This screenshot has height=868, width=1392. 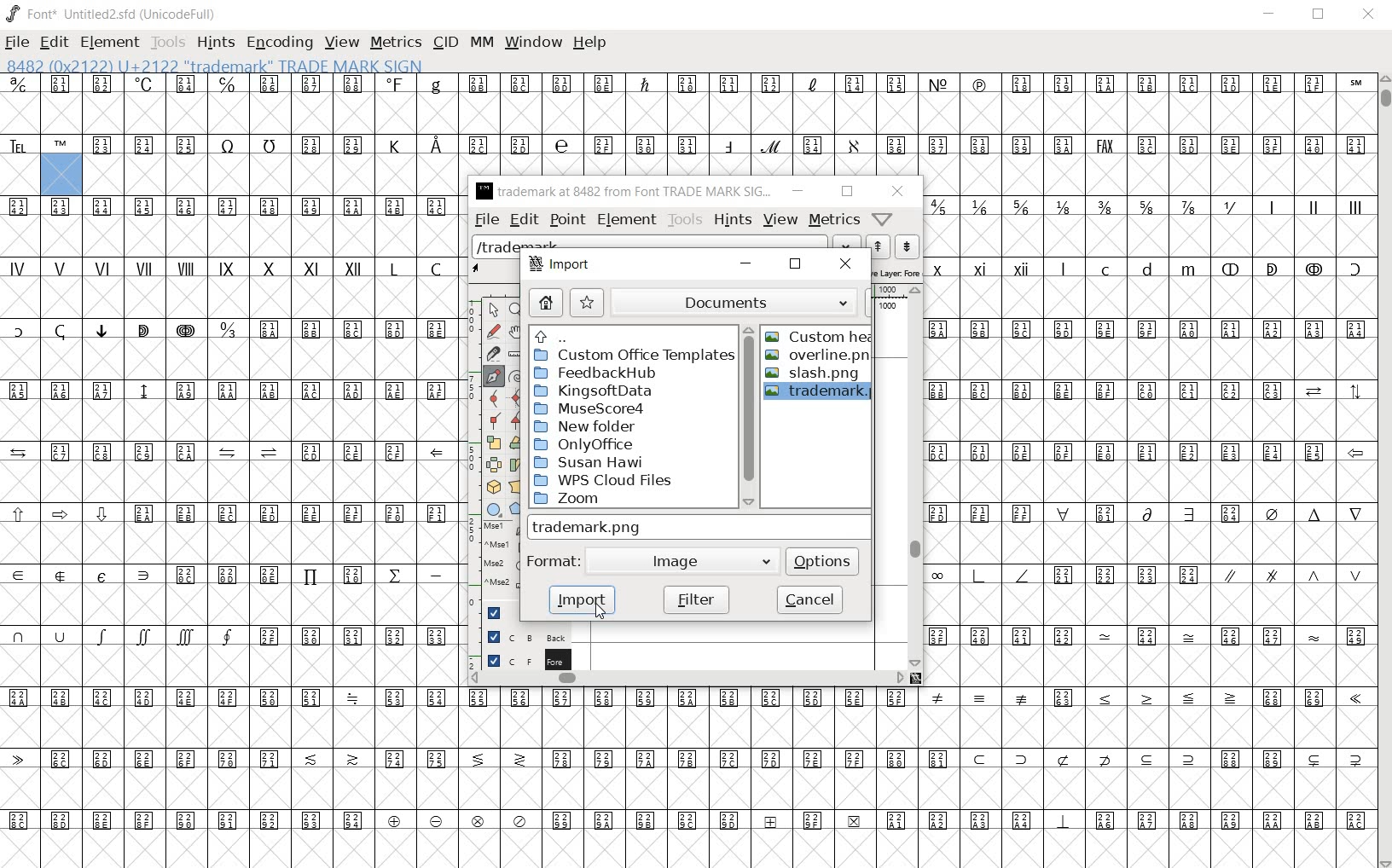 I want to click on ELEMENT, so click(x=111, y=44).